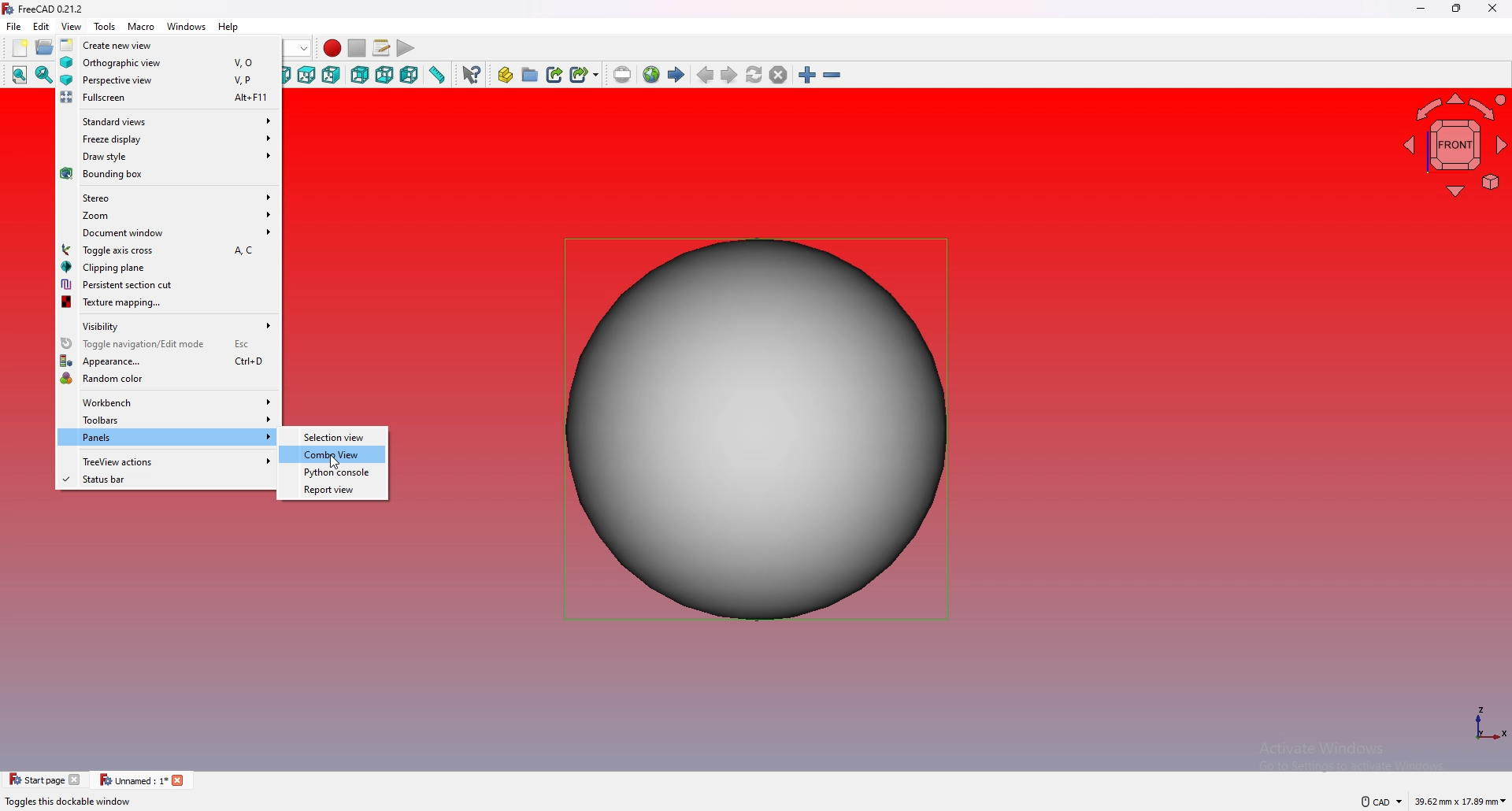  I want to click on stop loading, so click(778, 74).